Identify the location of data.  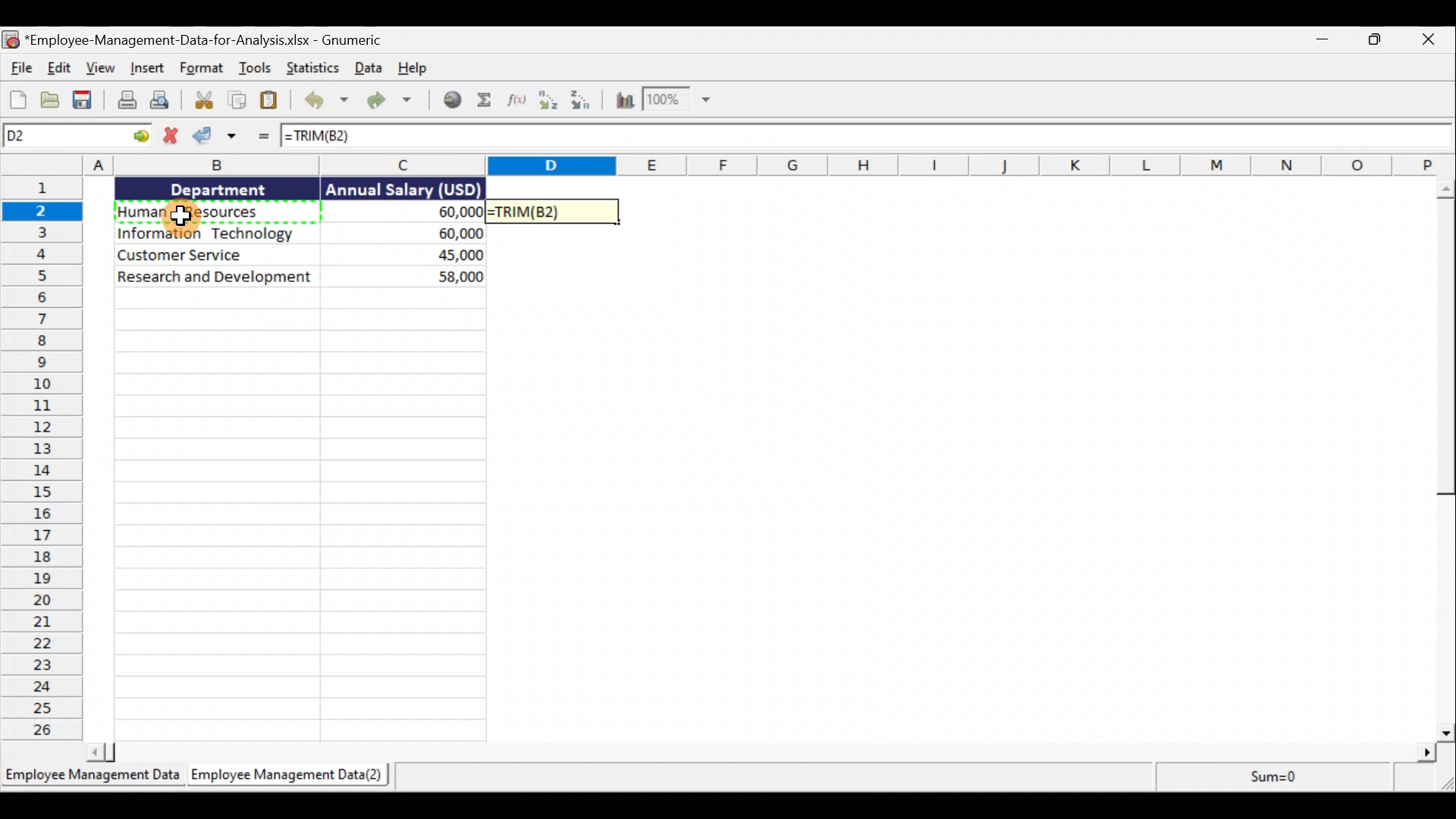
(448, 231).